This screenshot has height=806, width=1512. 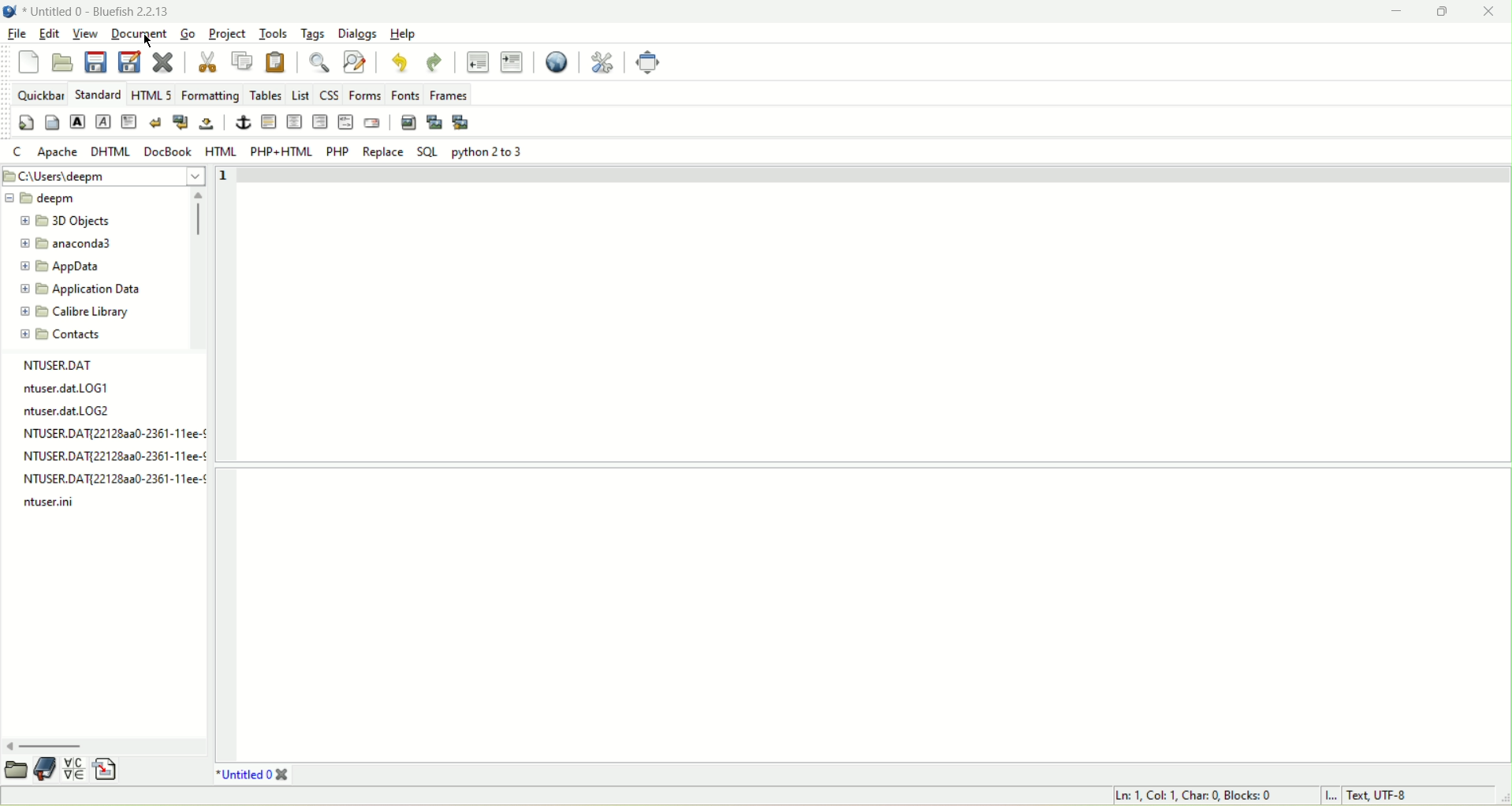 I want to click on close, so click(x=283, y=774).